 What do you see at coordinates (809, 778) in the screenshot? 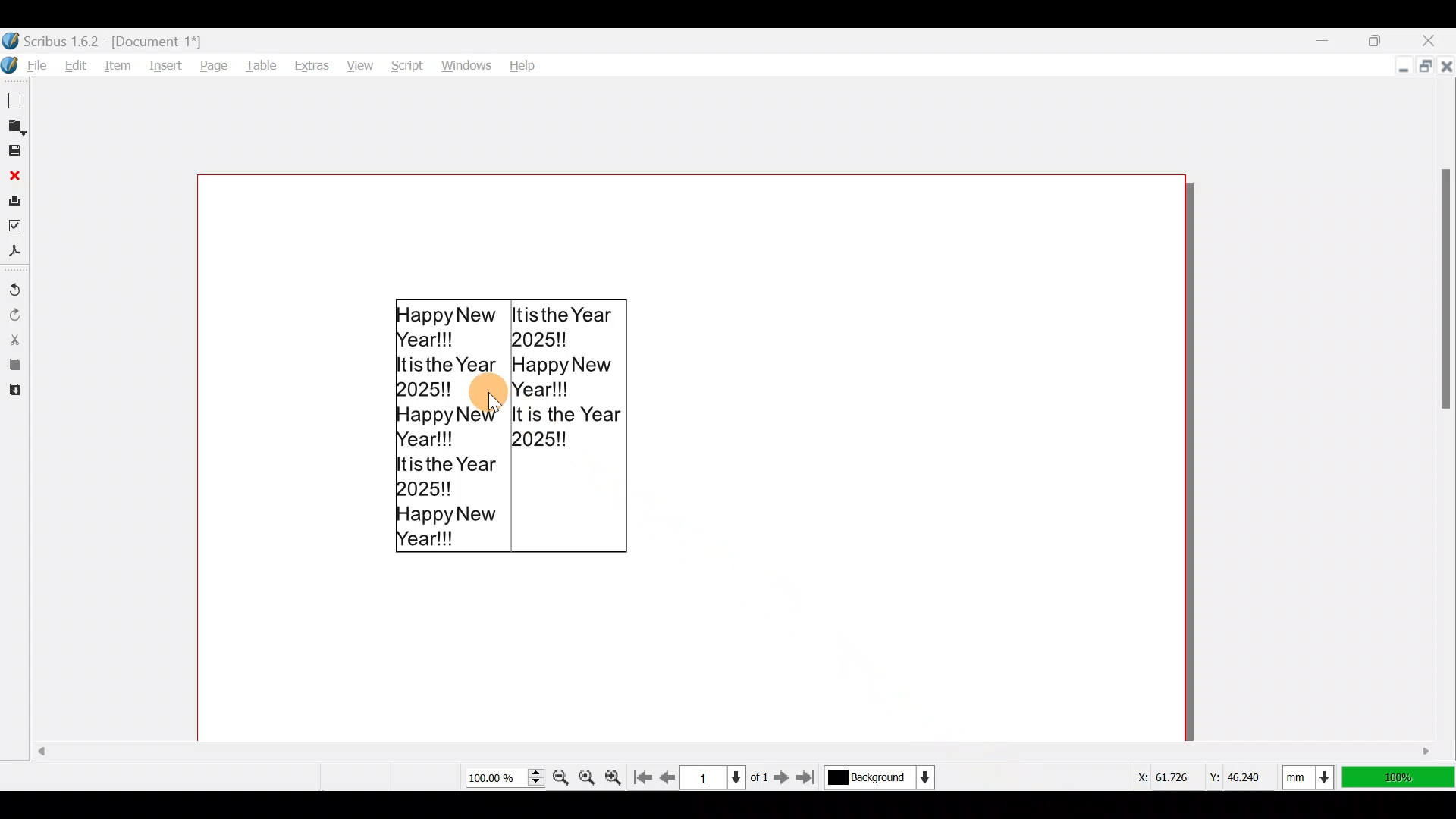
I see `Go to the last page` at bounding box center [809, 778].